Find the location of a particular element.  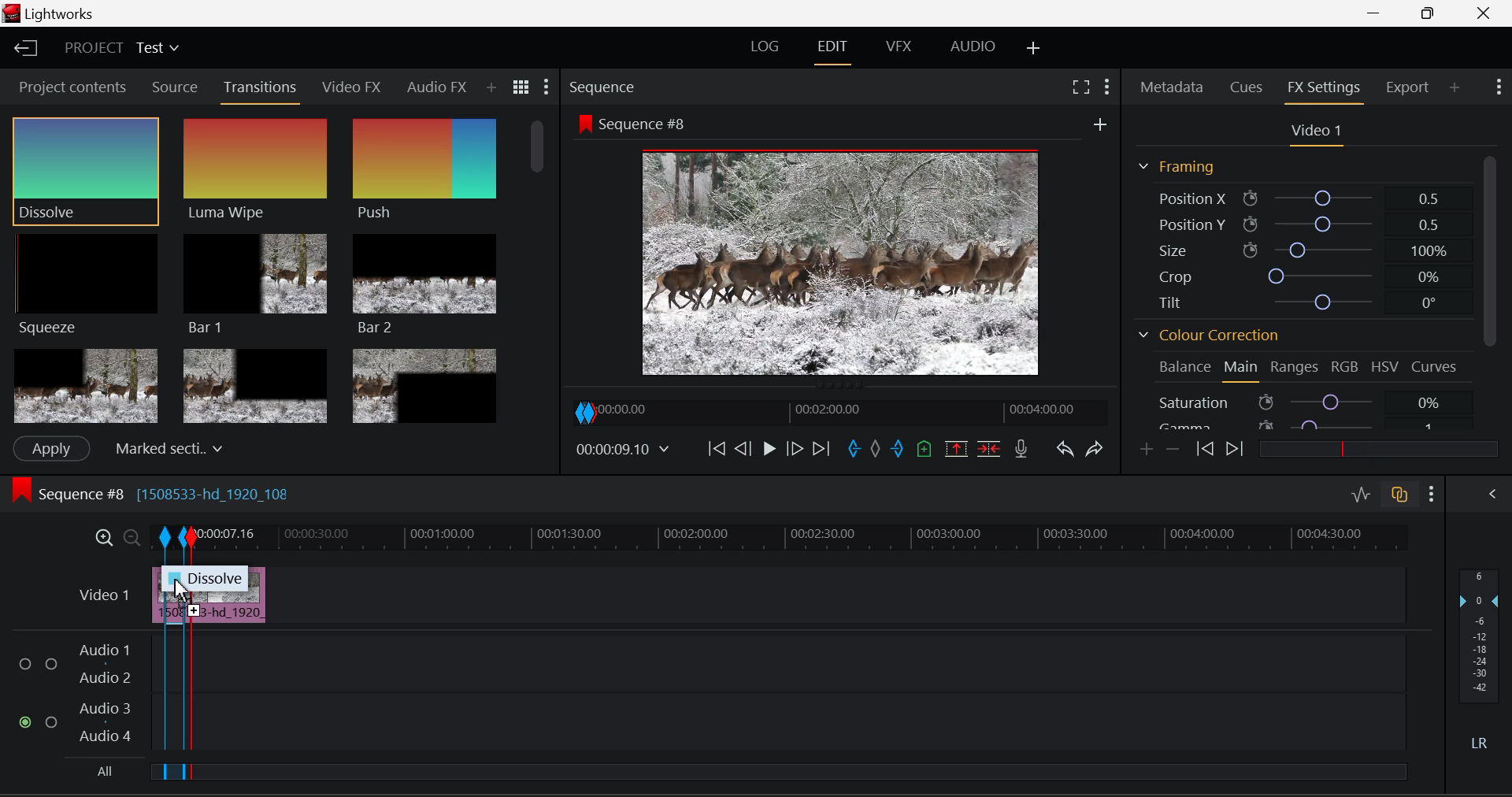

Audio Input Checkbox is located at coordinates (52, 721).